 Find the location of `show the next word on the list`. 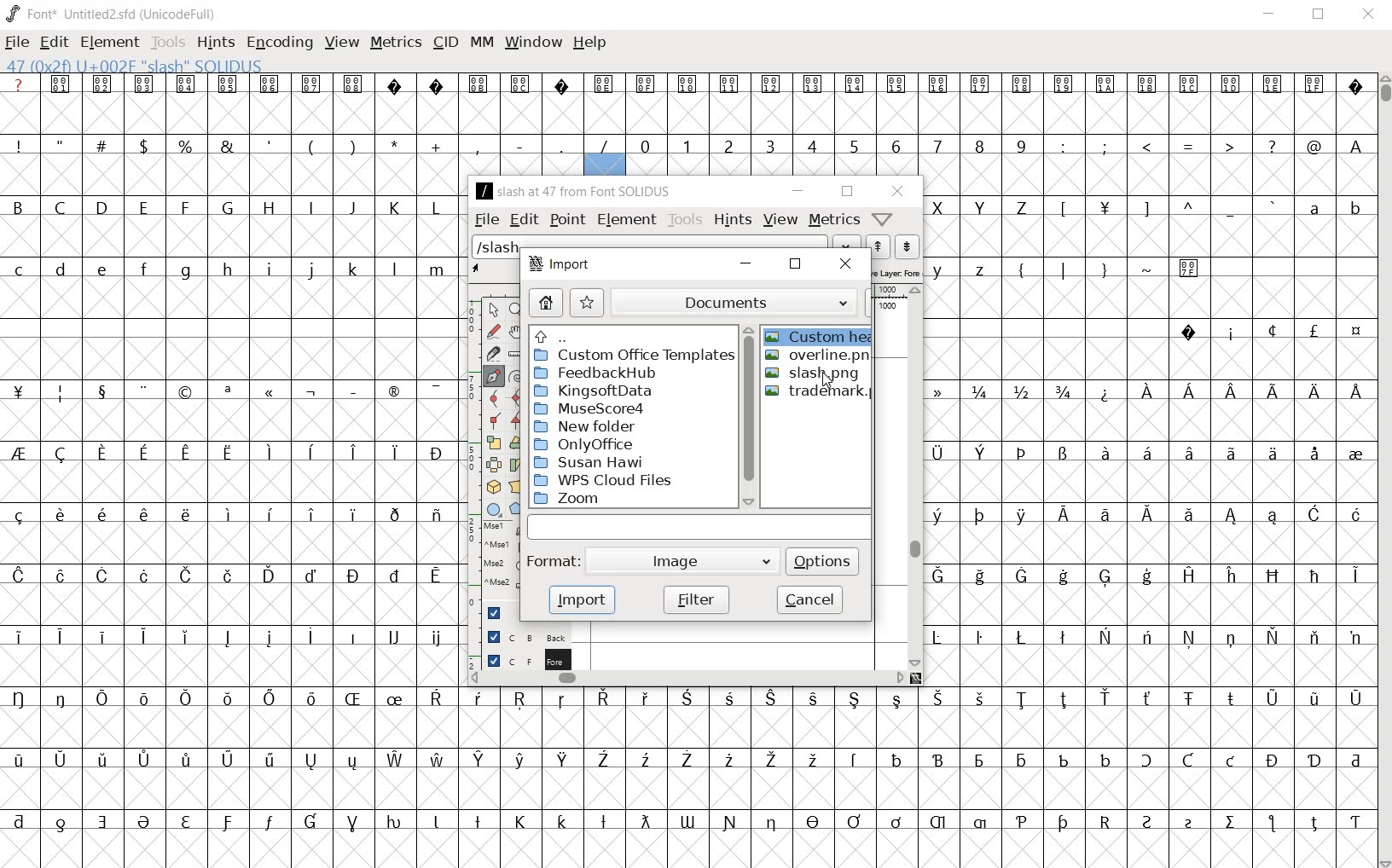

show the next word on the list is located at coordinates (876, 247).